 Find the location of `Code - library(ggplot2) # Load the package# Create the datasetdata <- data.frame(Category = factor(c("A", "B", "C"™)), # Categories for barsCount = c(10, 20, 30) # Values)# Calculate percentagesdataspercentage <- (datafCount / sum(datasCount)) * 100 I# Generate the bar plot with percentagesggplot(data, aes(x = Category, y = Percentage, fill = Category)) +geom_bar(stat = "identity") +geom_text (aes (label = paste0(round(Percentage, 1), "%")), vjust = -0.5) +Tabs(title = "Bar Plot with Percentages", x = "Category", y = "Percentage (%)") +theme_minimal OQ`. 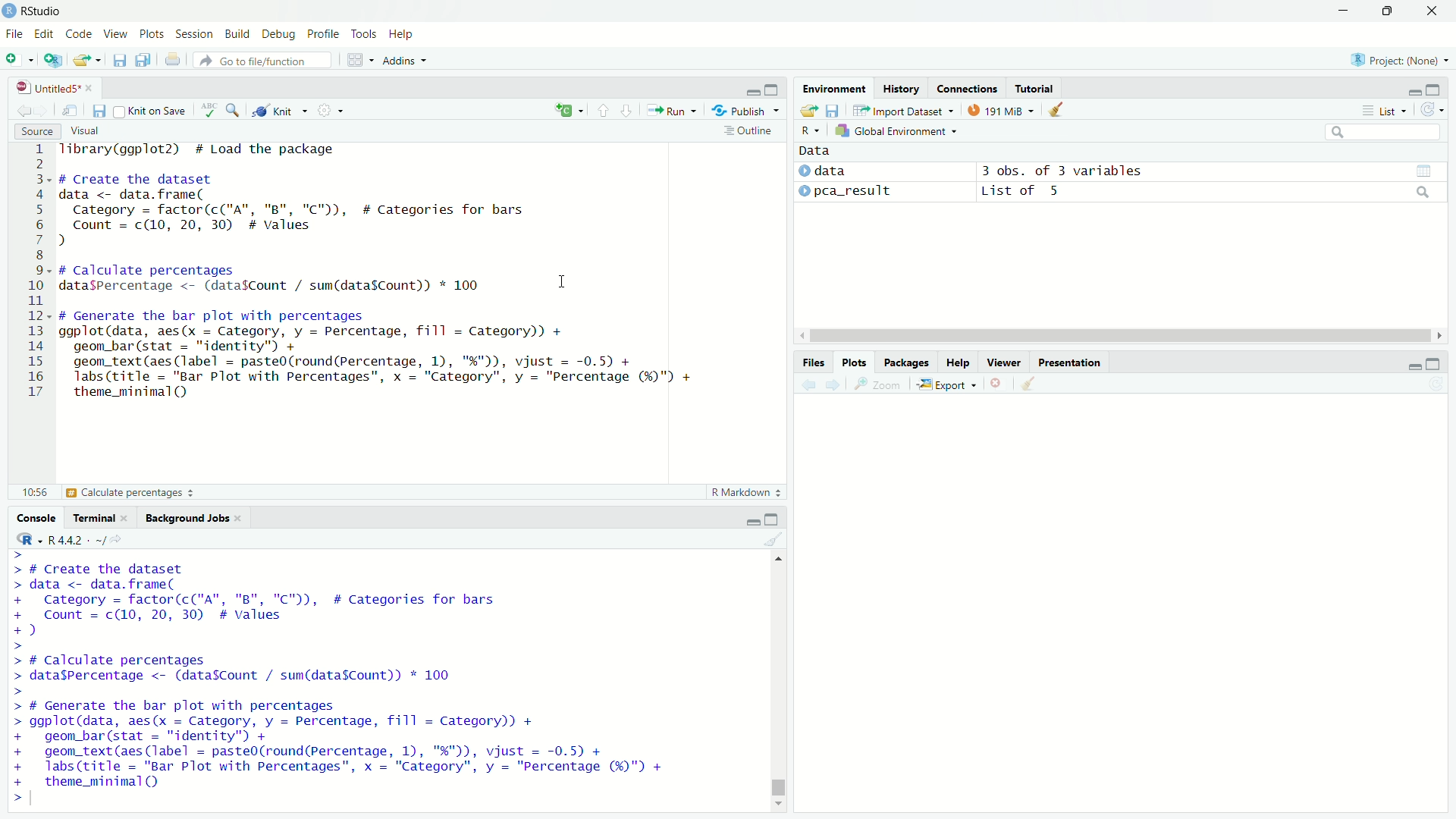

Code - library(ggplot2) # Load the package# Create the datasetdata <- data.frame(Category = factor(c("A", "B", "C"™)), # Categories for barsCount = c(10, 20, 30) # Values)# Calculate percentagesdataspercentage <- (datafCount / sum(datasCount)) * 100 I# Generate the bar plot with percentagesggplot(data, aes(x = Category, y = Percentage, fill = Category)) +geom_bar(stat = "identity") +geom_text (aes (label = paste0(round(Percentage, 1), "%")), vjust = -0.5) +Tabs(title = "Bar Plot with Percentages", x = "Category", y = "Percentage (%)") +theme_minimal OQ is located at coordinates (381, 274).